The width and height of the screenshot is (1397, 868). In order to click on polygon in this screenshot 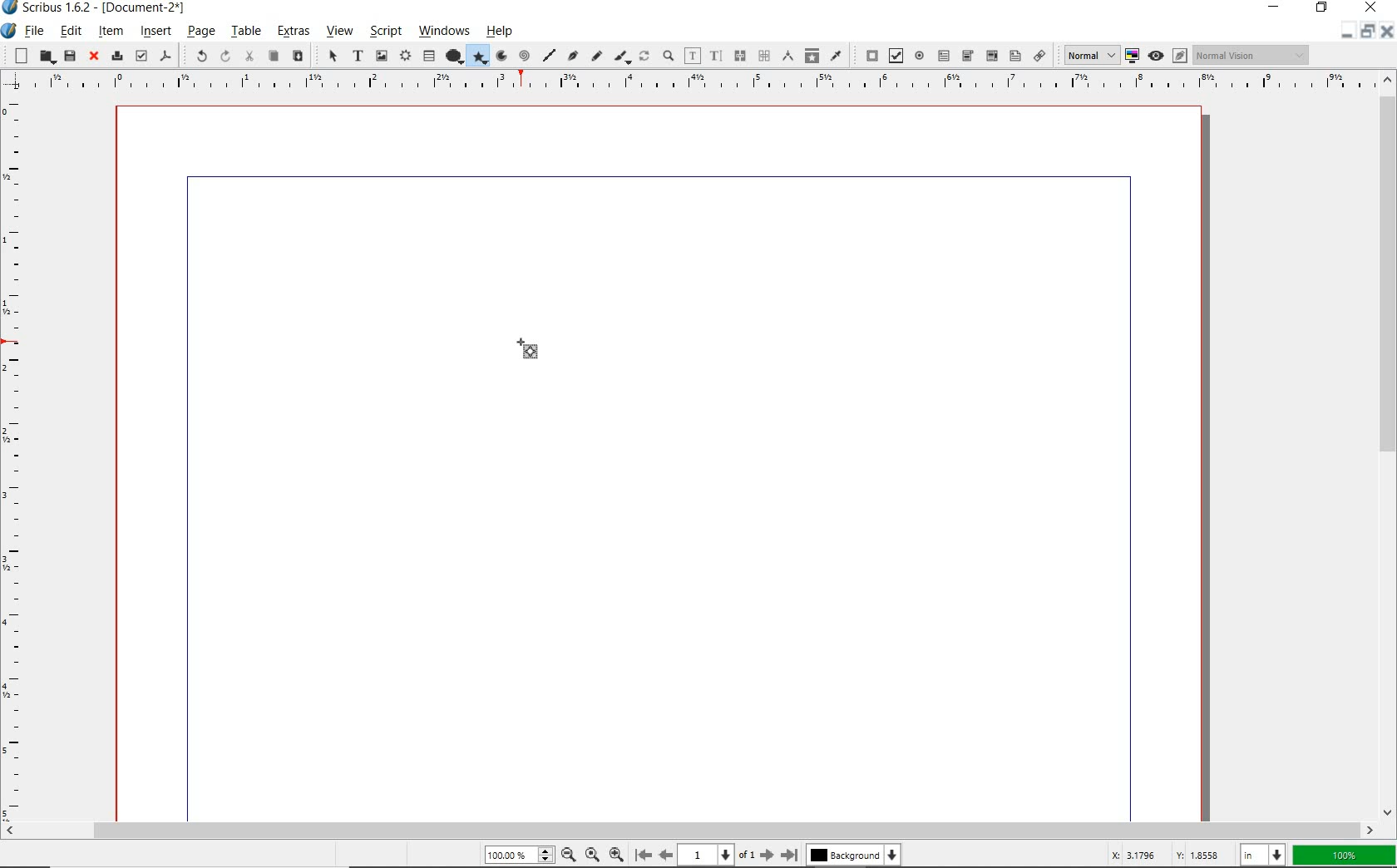, I will do `click(481, 57)`.